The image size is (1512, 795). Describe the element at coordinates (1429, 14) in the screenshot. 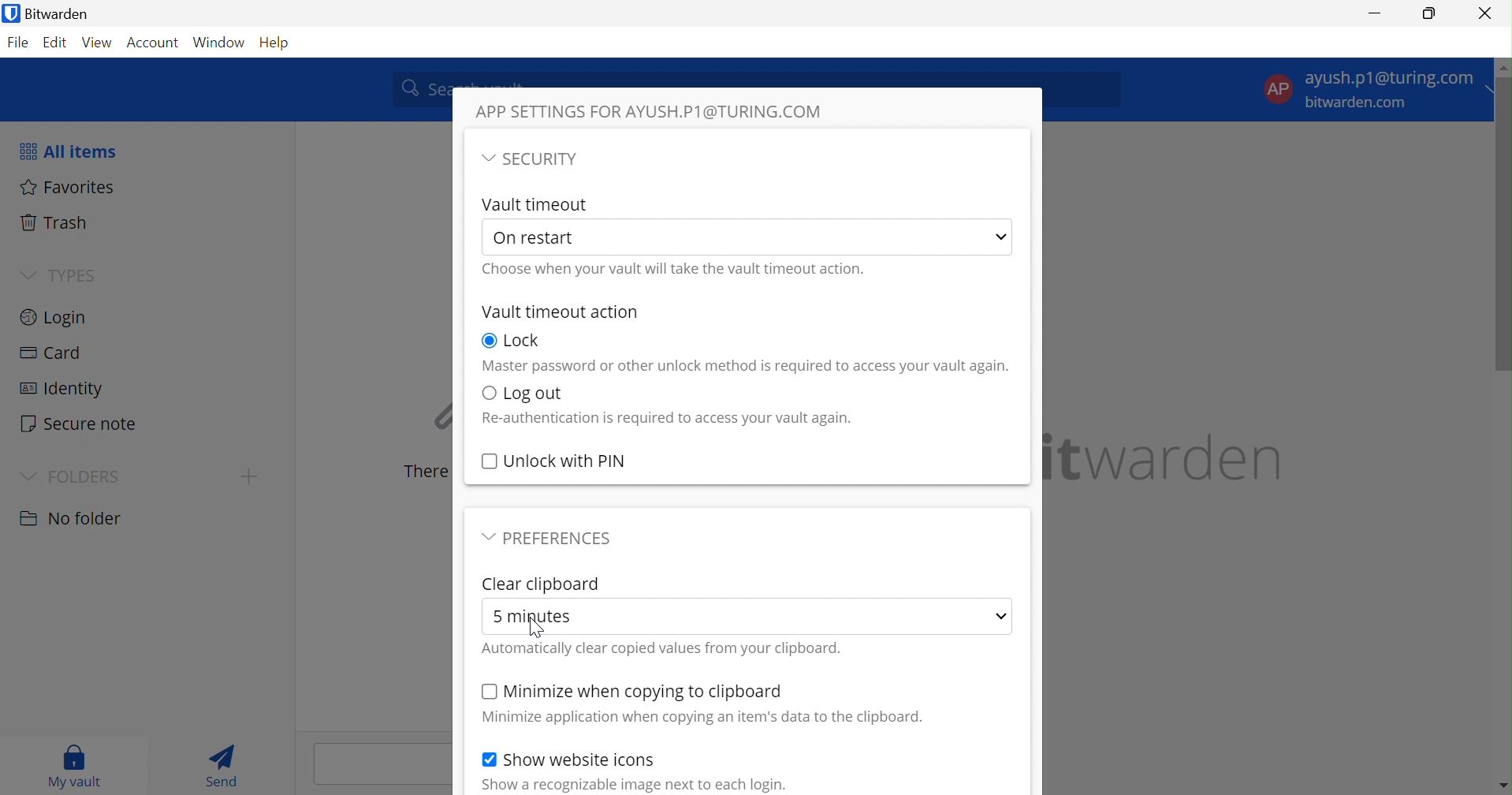

I see `Restore Down` at that location.